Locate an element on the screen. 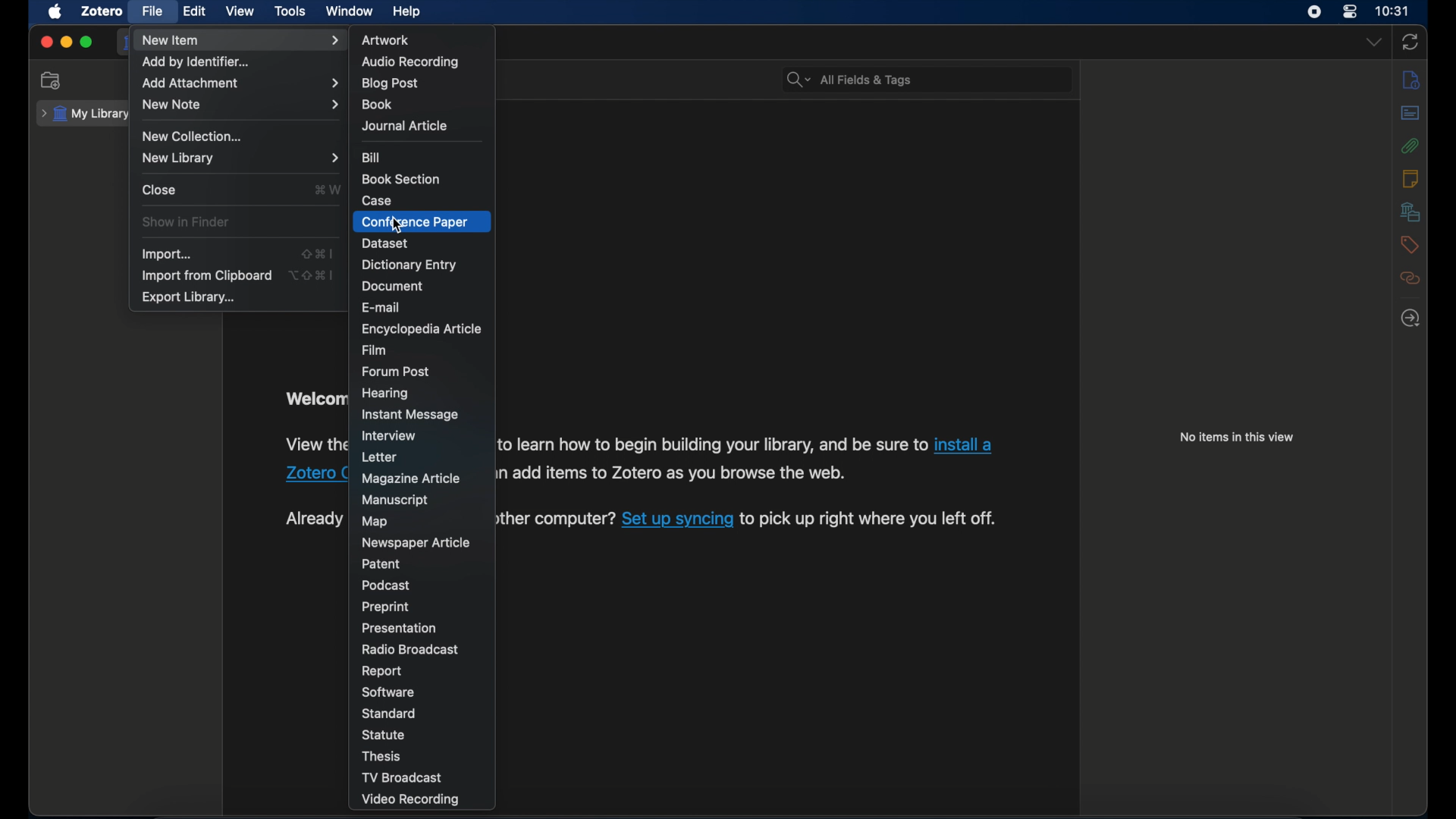 The image size is (1456, 819). software is located at coordinates (391, 692).